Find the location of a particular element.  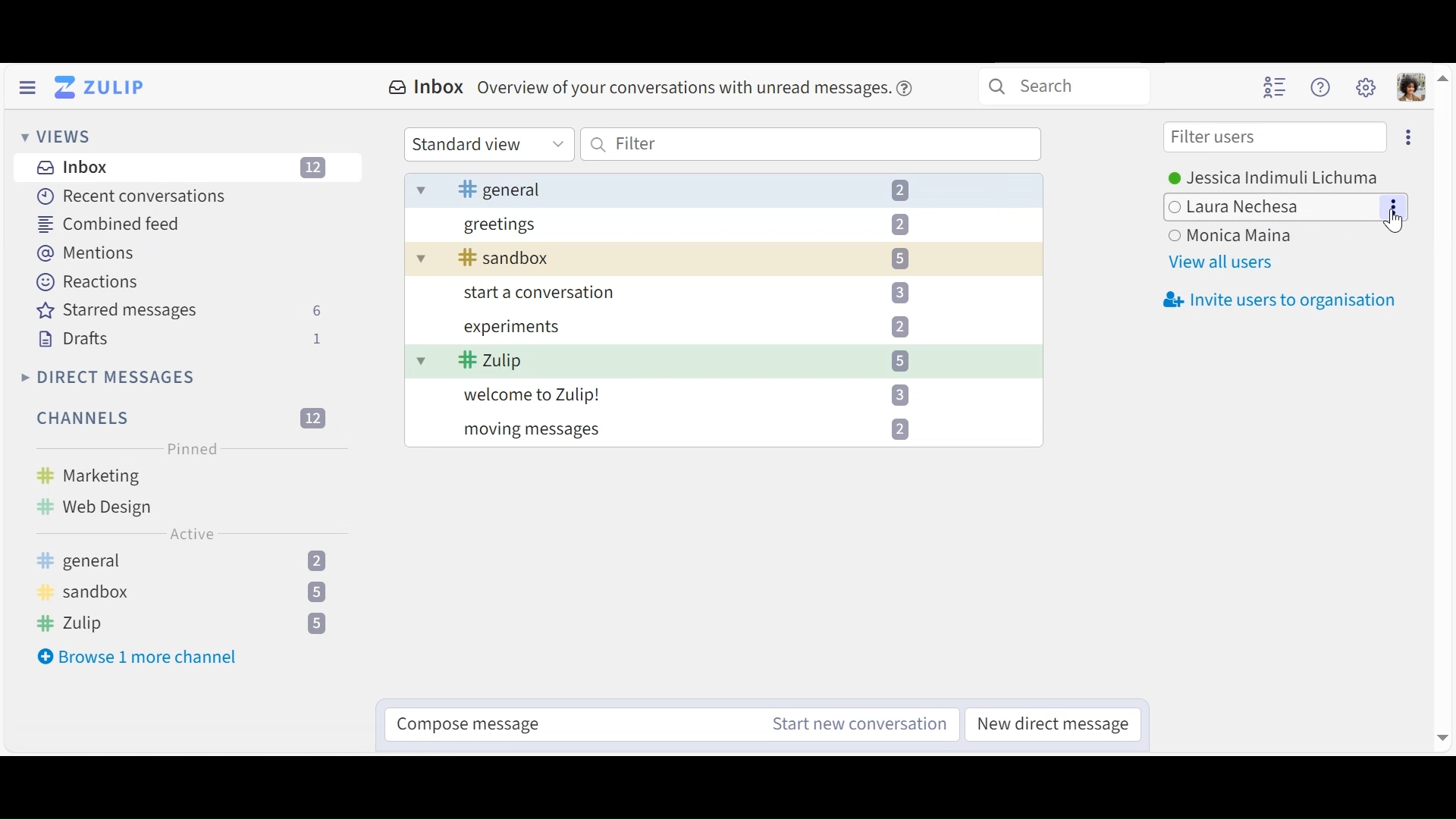

welcome to Zulip! is located at coordinates (689, 395).